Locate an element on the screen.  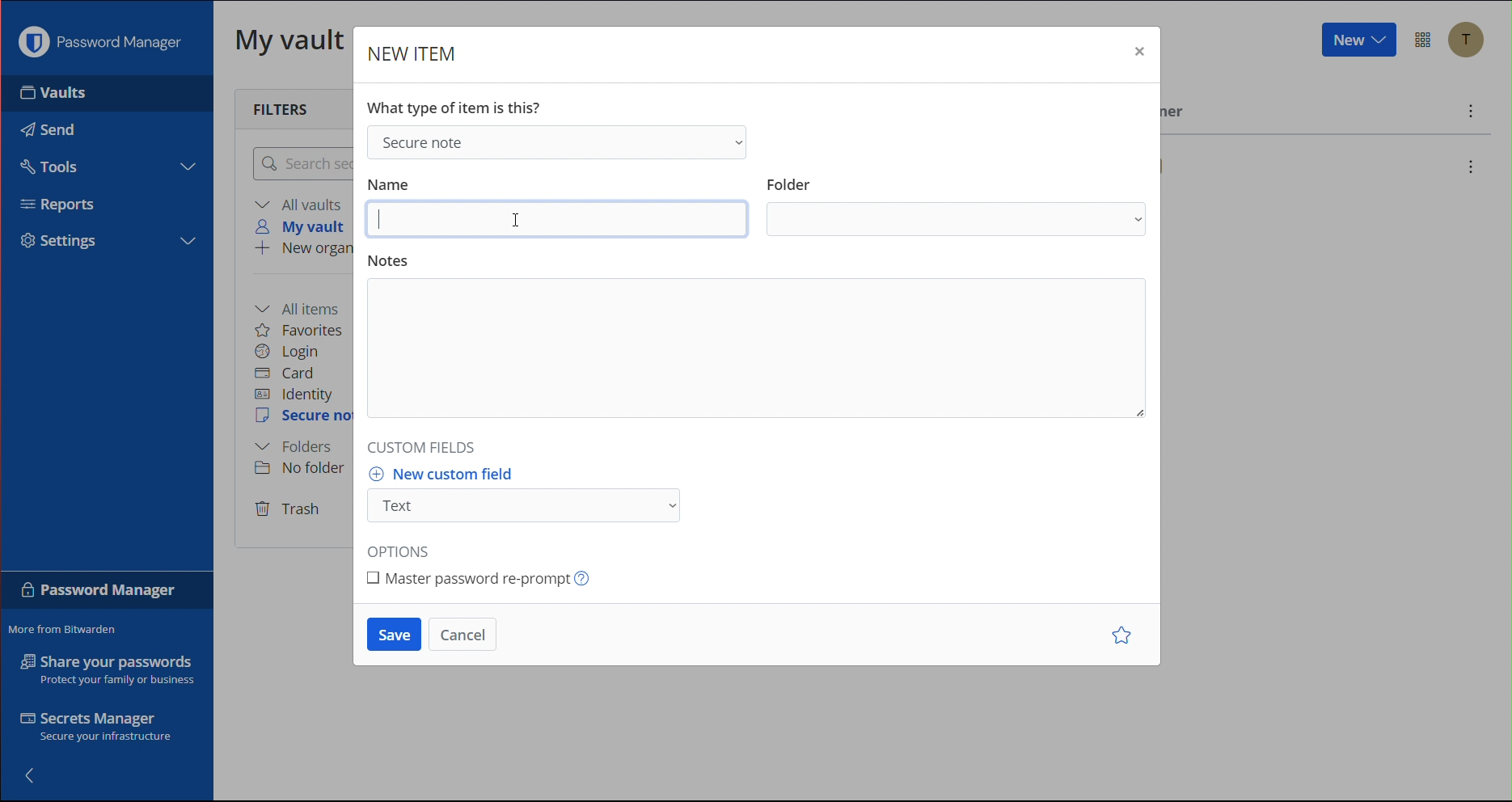
Notes is located at coordinates (390, 256).